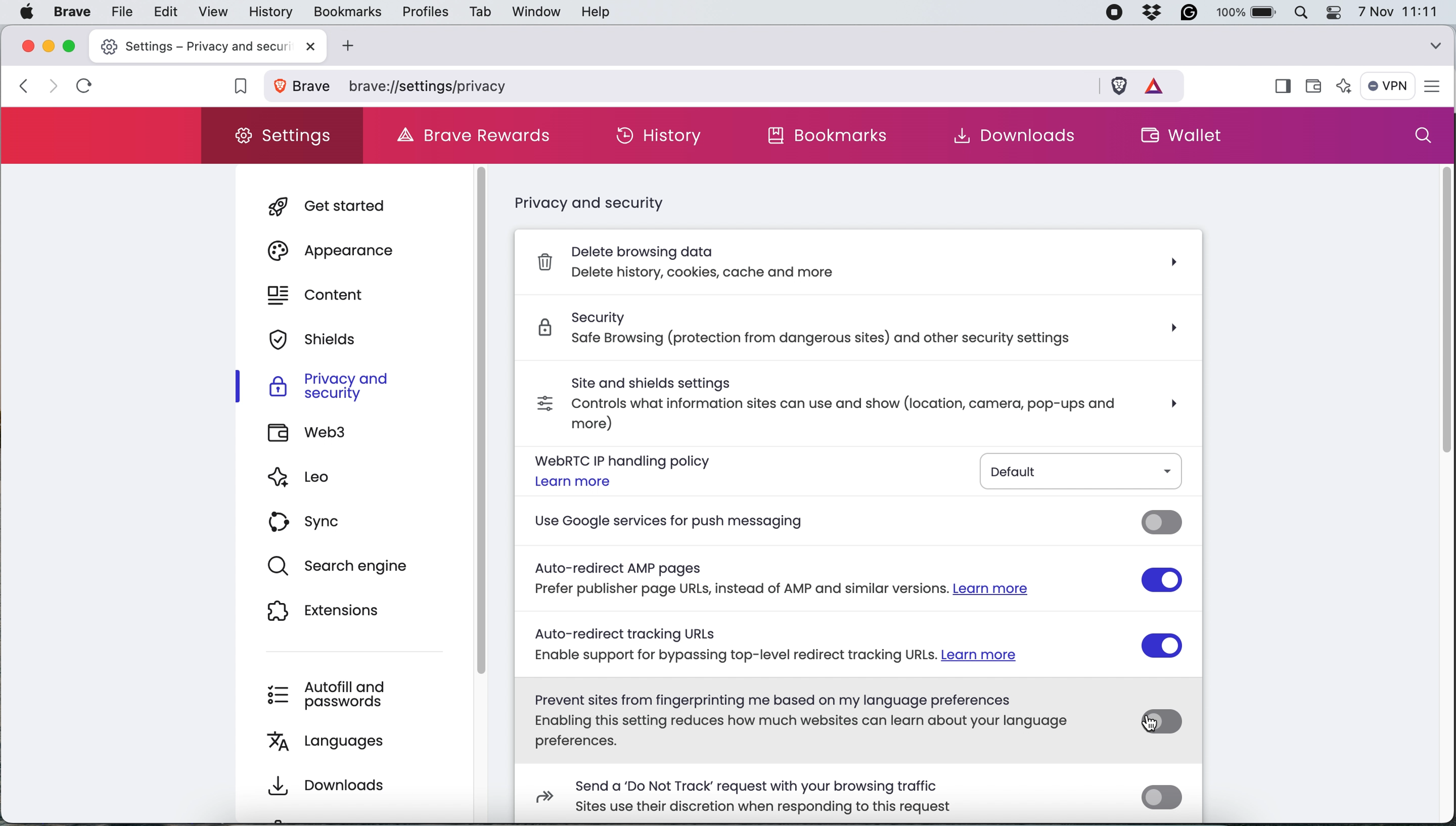 The image size is (1456, 826). Describe the element at coordinates (269, 12) in the screenshot. I see `history` at that location.